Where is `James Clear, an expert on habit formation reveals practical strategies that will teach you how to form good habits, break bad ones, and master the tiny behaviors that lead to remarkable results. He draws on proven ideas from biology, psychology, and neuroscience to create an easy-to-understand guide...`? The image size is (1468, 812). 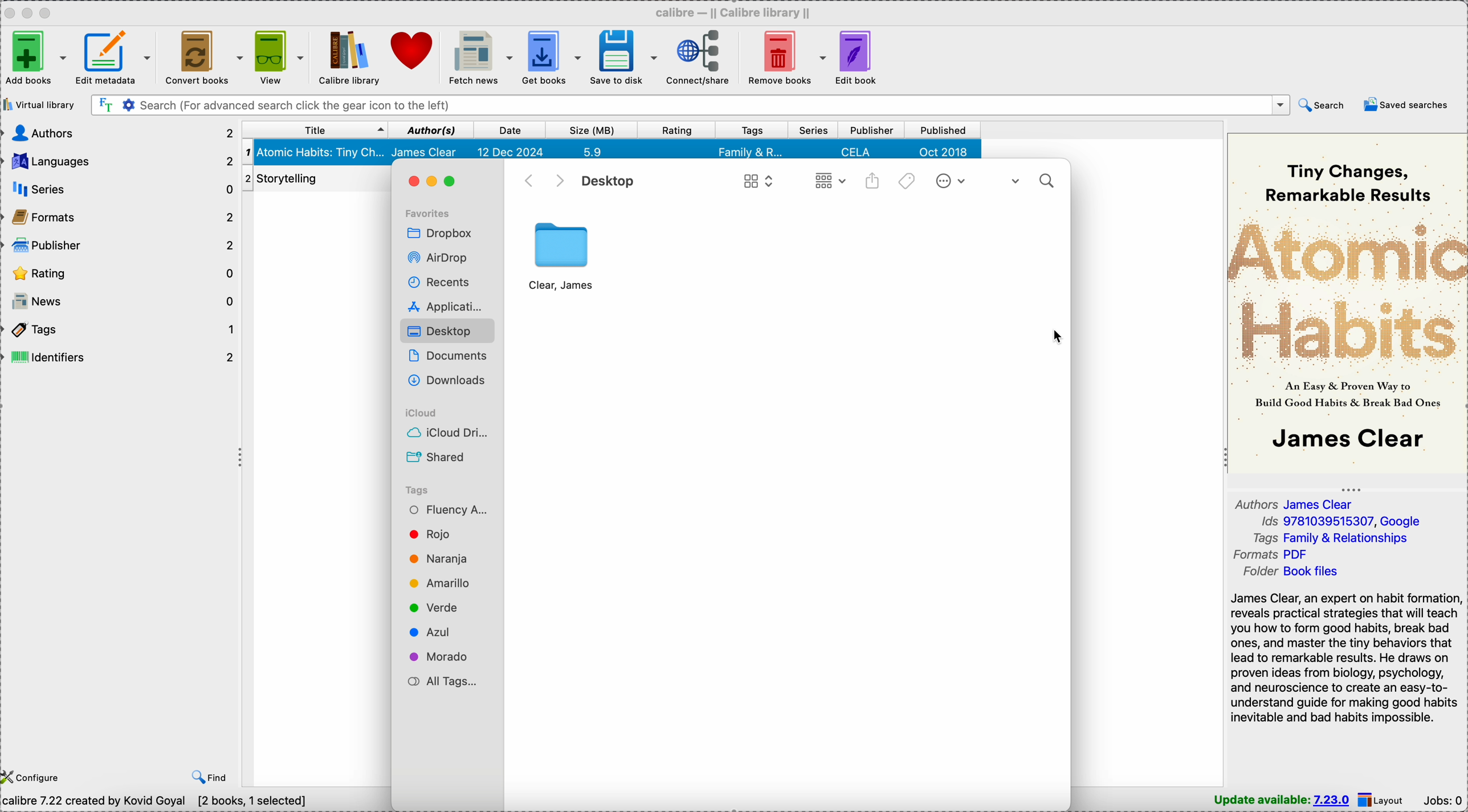
James Clear, an expert on habit formation reveals practical strategies that will teach you how to form good habits, break bad ones, and master the tiny behaviors that lead to remarkable results. He draws on proven ideas from biology, psychology, and neuroscience to create an easy-to-understand guide... is located at coordinates (1346, 659).